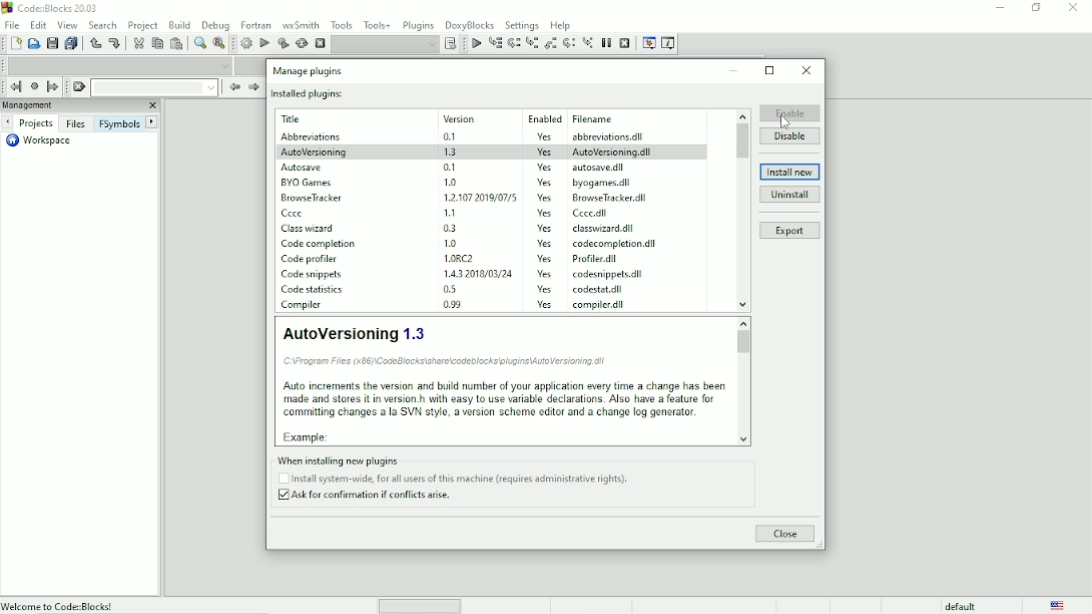  What do you see at coordinates (616, 137) in the screenshot?
I see `file` at bounding box center [616, 137].